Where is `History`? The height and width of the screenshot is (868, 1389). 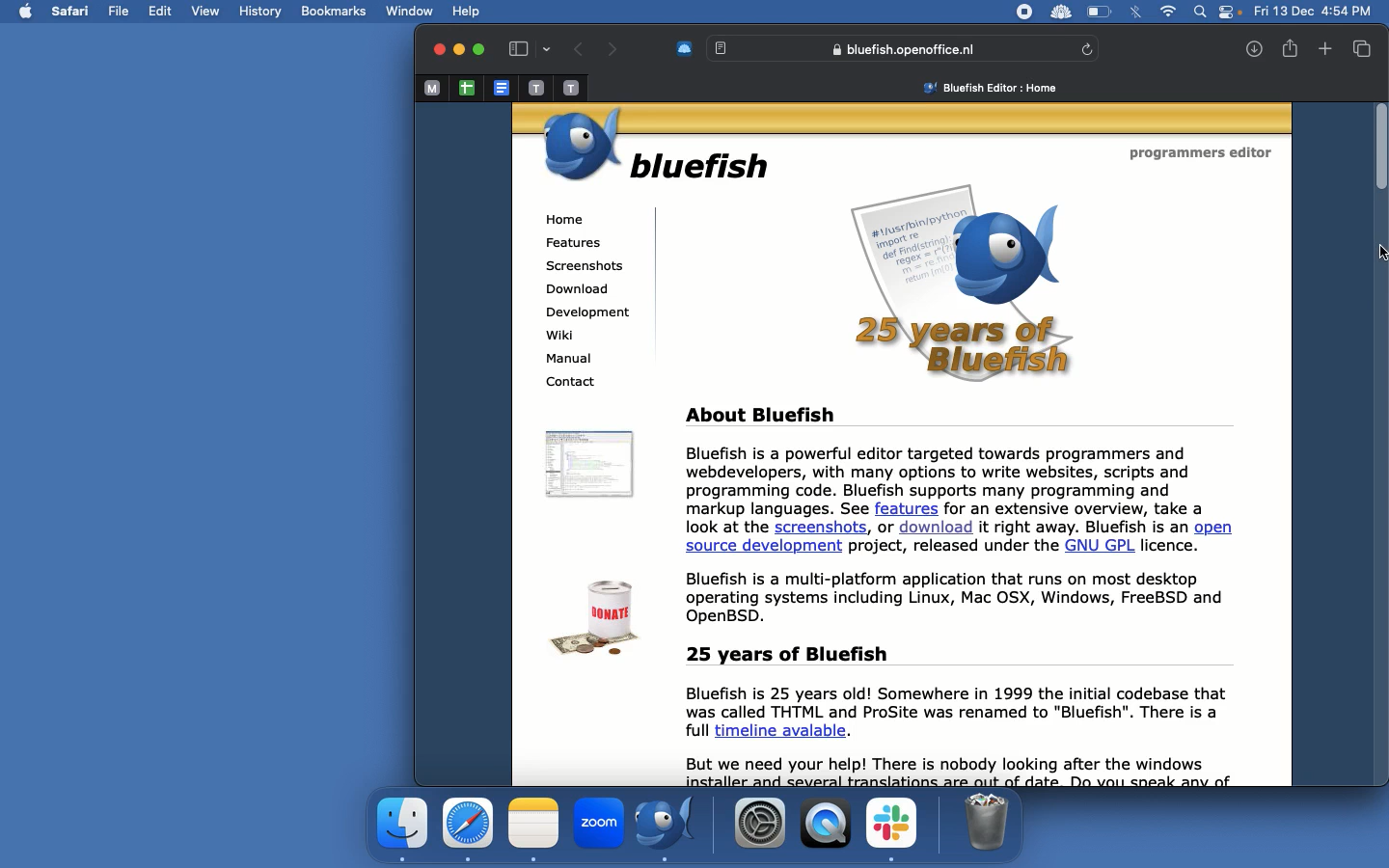 History is located at coordinates (262, 13).